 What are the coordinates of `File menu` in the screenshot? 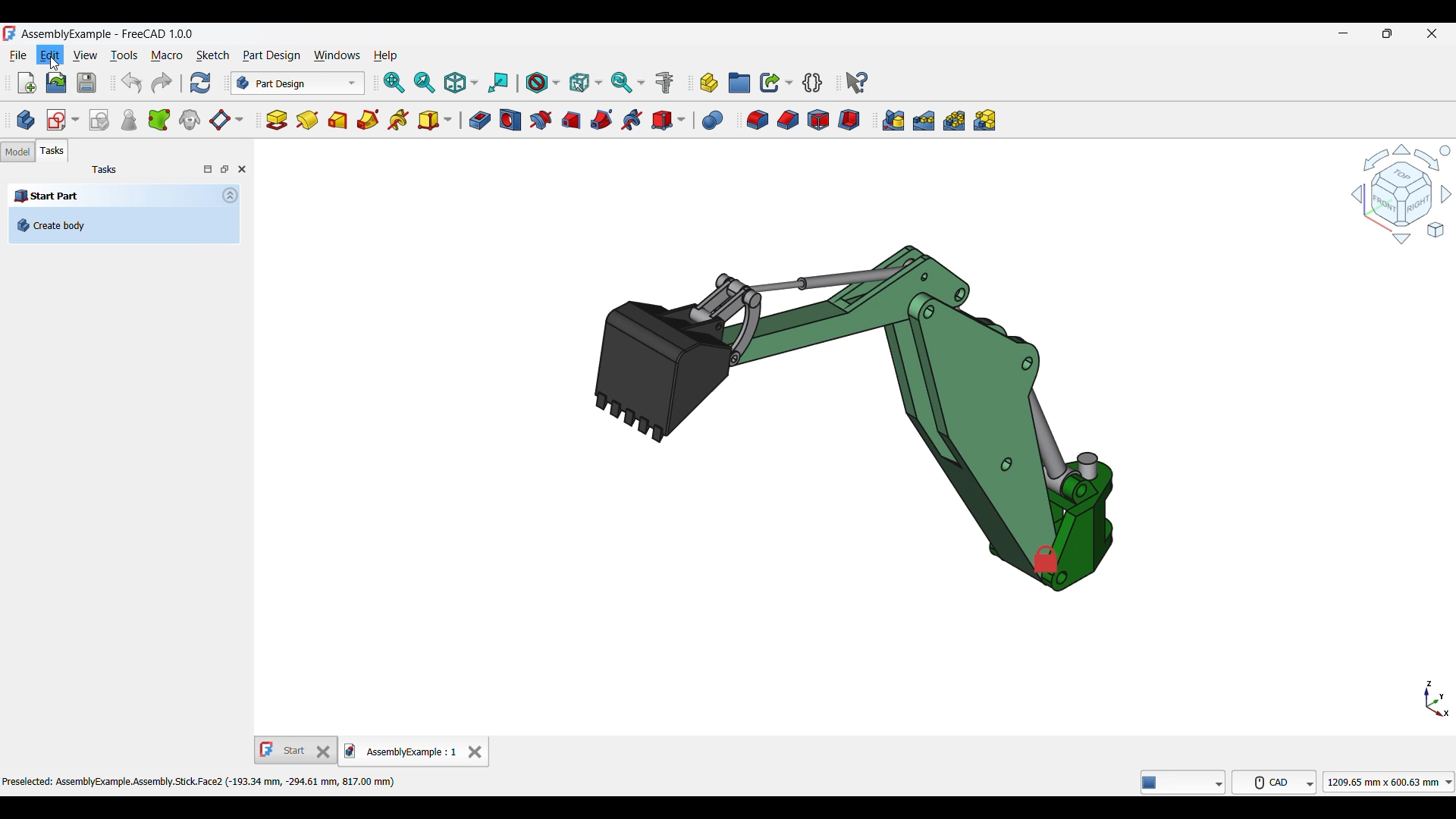 It's located at (20, 55).